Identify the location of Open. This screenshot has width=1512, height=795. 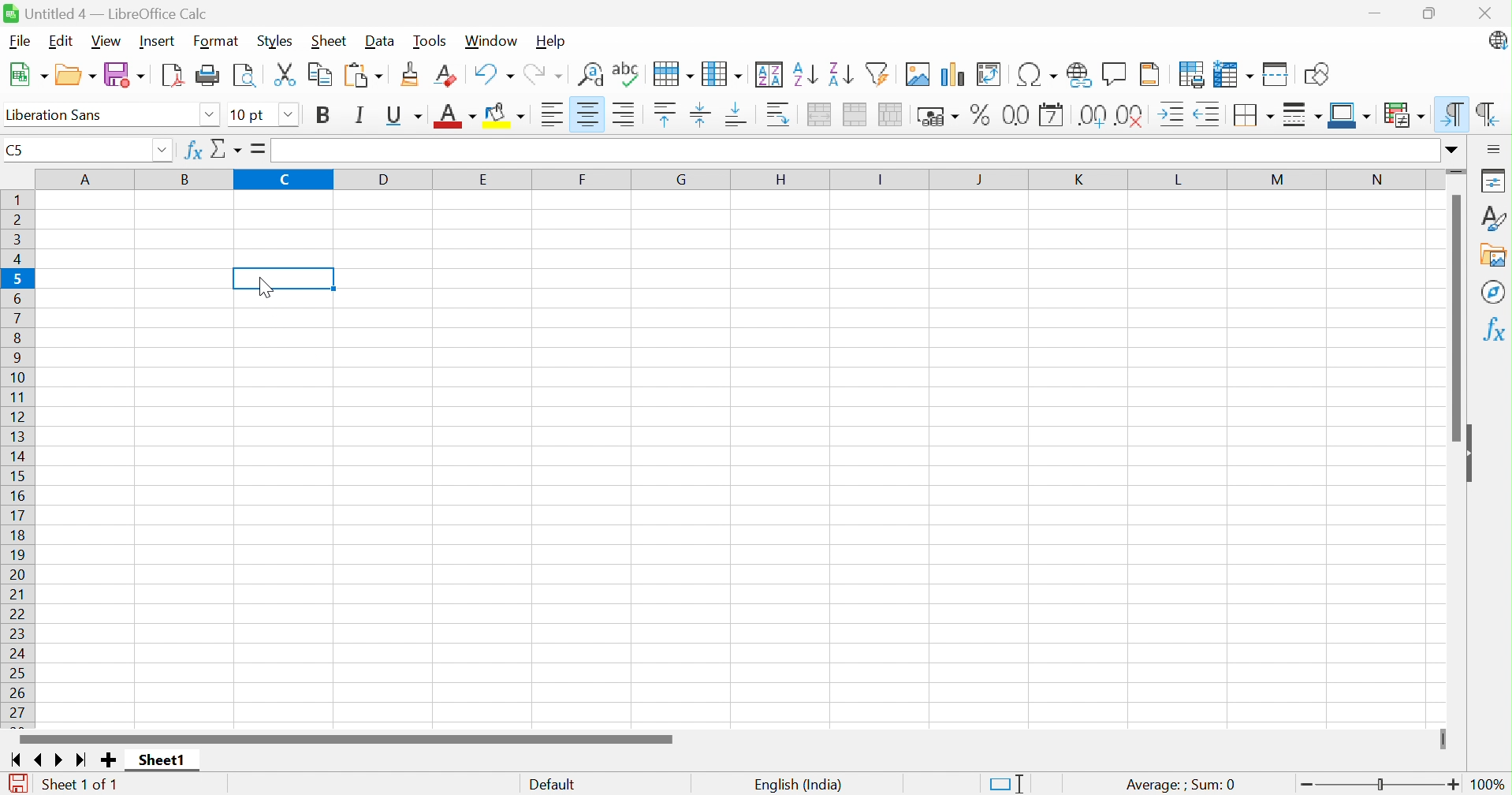
(76, 74).